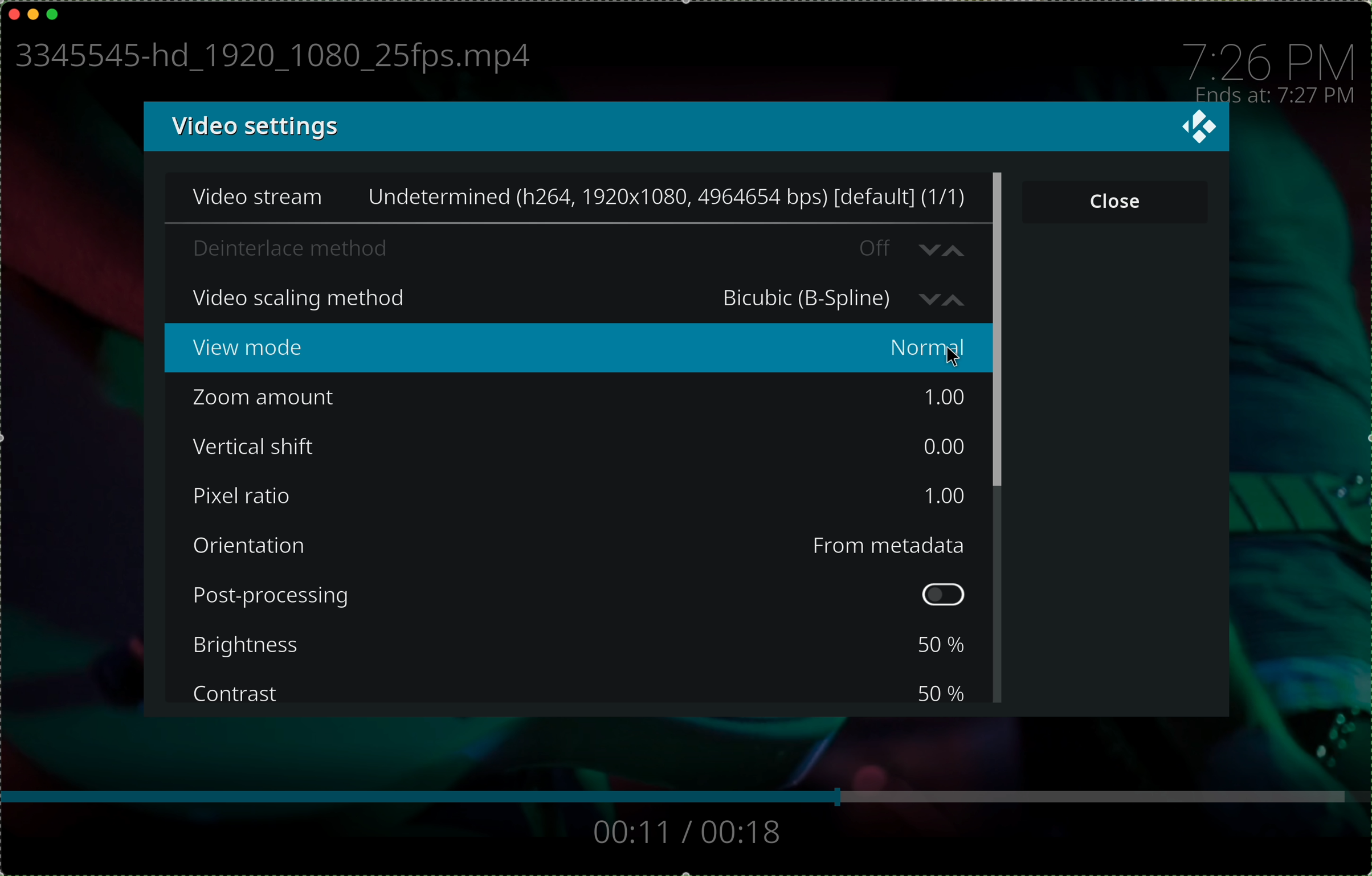 This screenshot has width=1372, height=876. What do you see at coordinates (238, 694) in the screenshot?
I see `contrast` at bounding box center [238, 694].